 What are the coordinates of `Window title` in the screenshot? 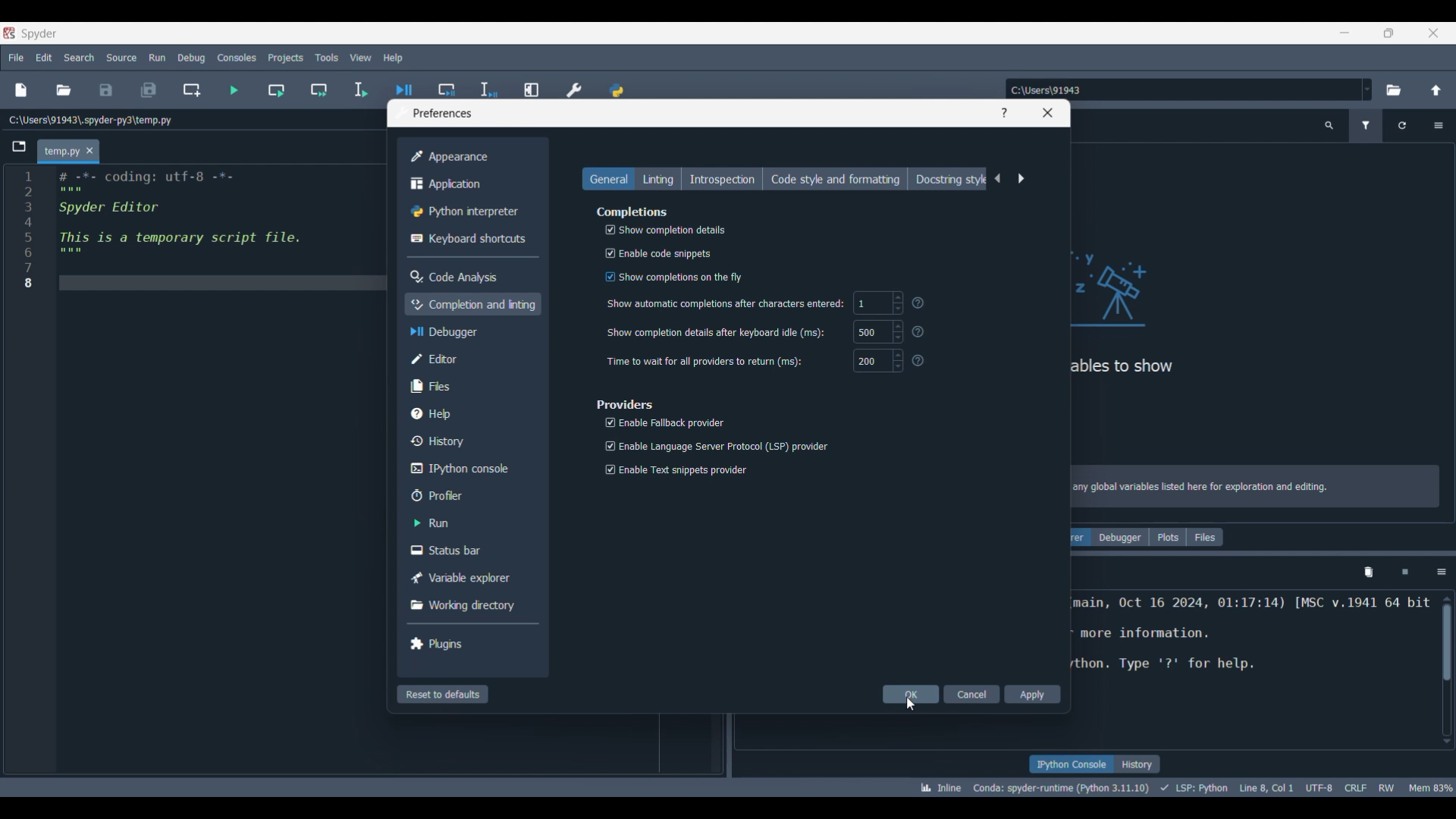 It's located at (443, 113).